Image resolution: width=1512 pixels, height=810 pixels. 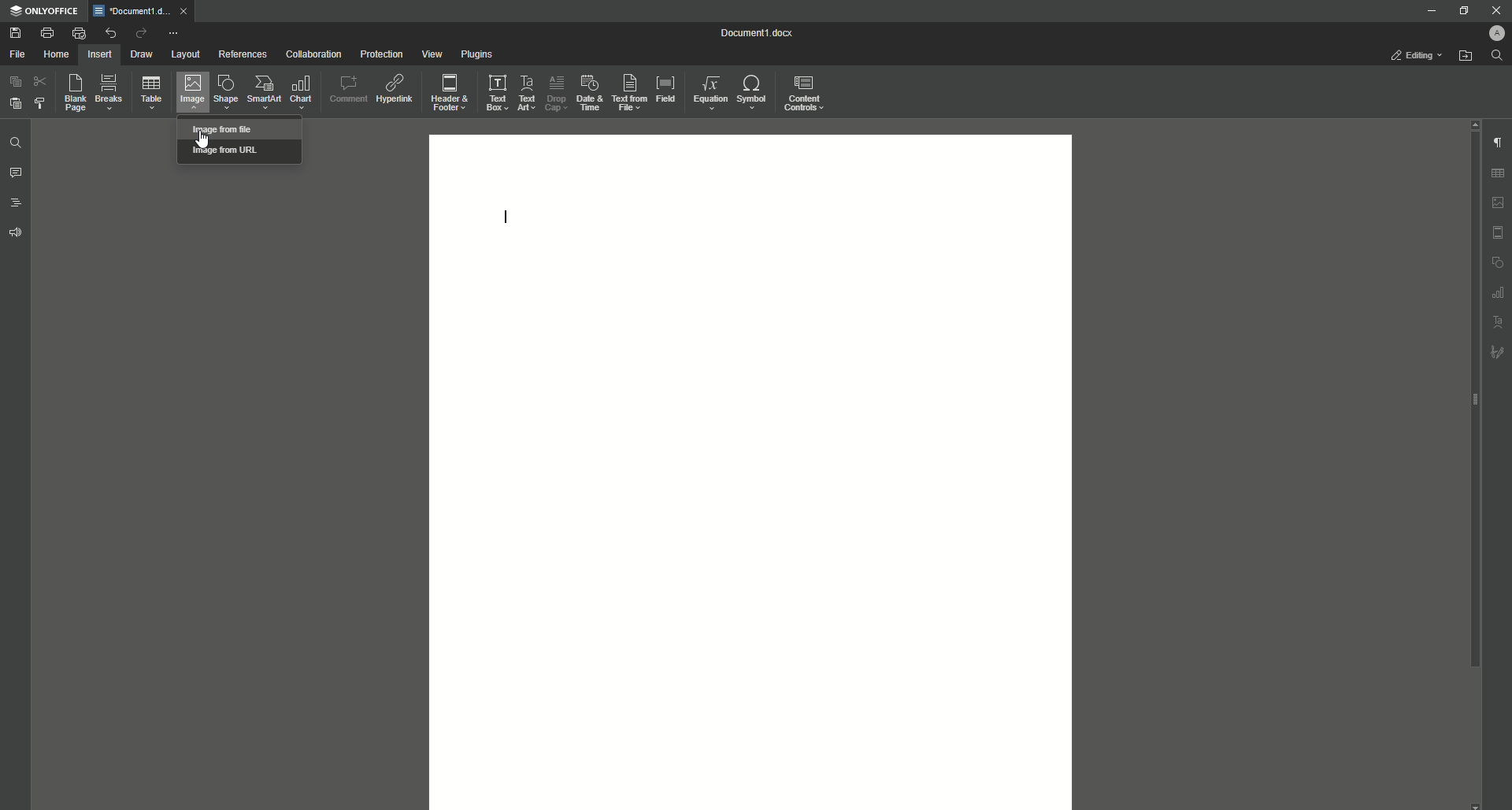 What do you see at coordinates (243, 54) in the screenshot?
I see `References` at bounding box center [243, 54].